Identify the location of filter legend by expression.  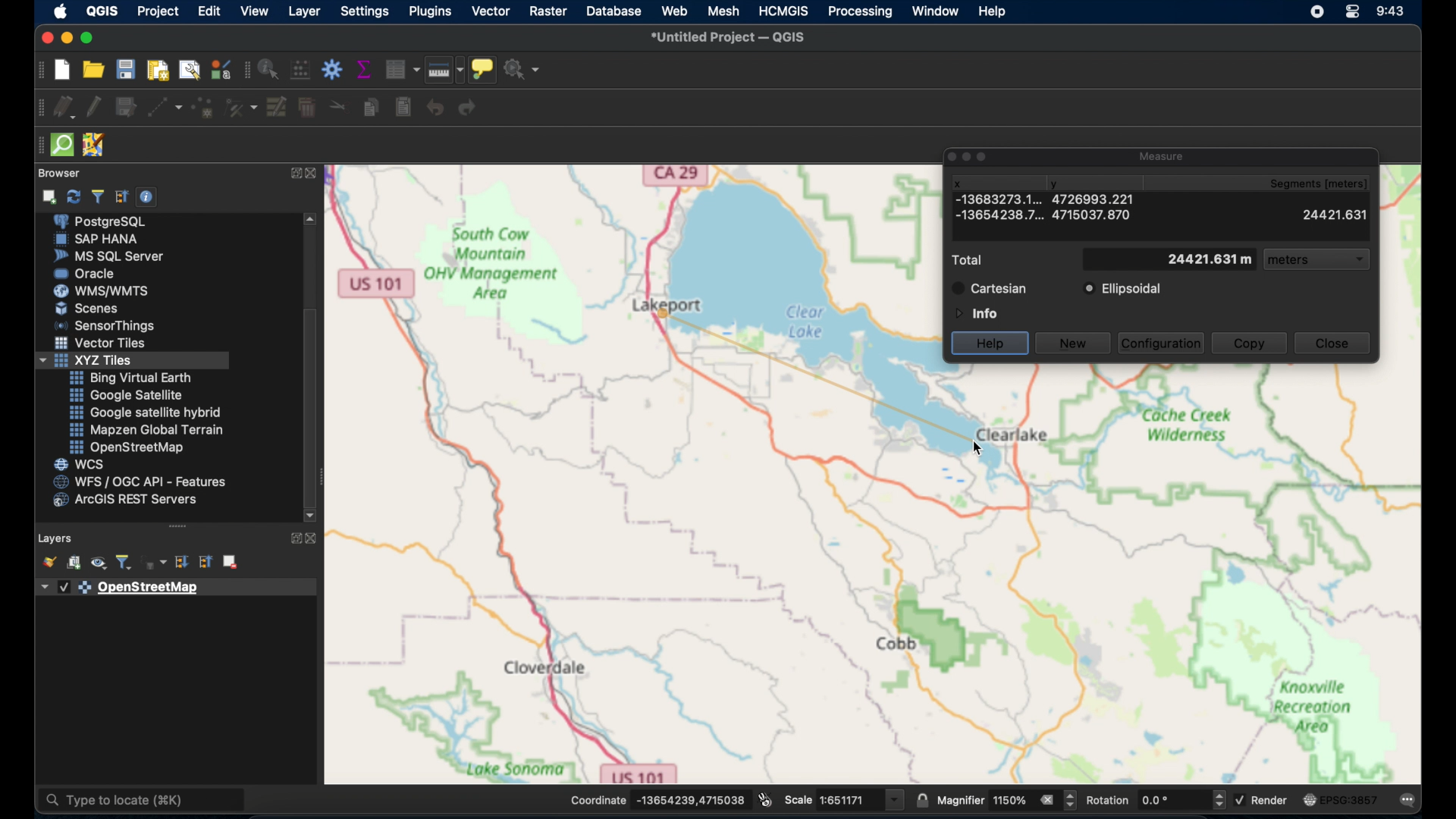
(156, 563).